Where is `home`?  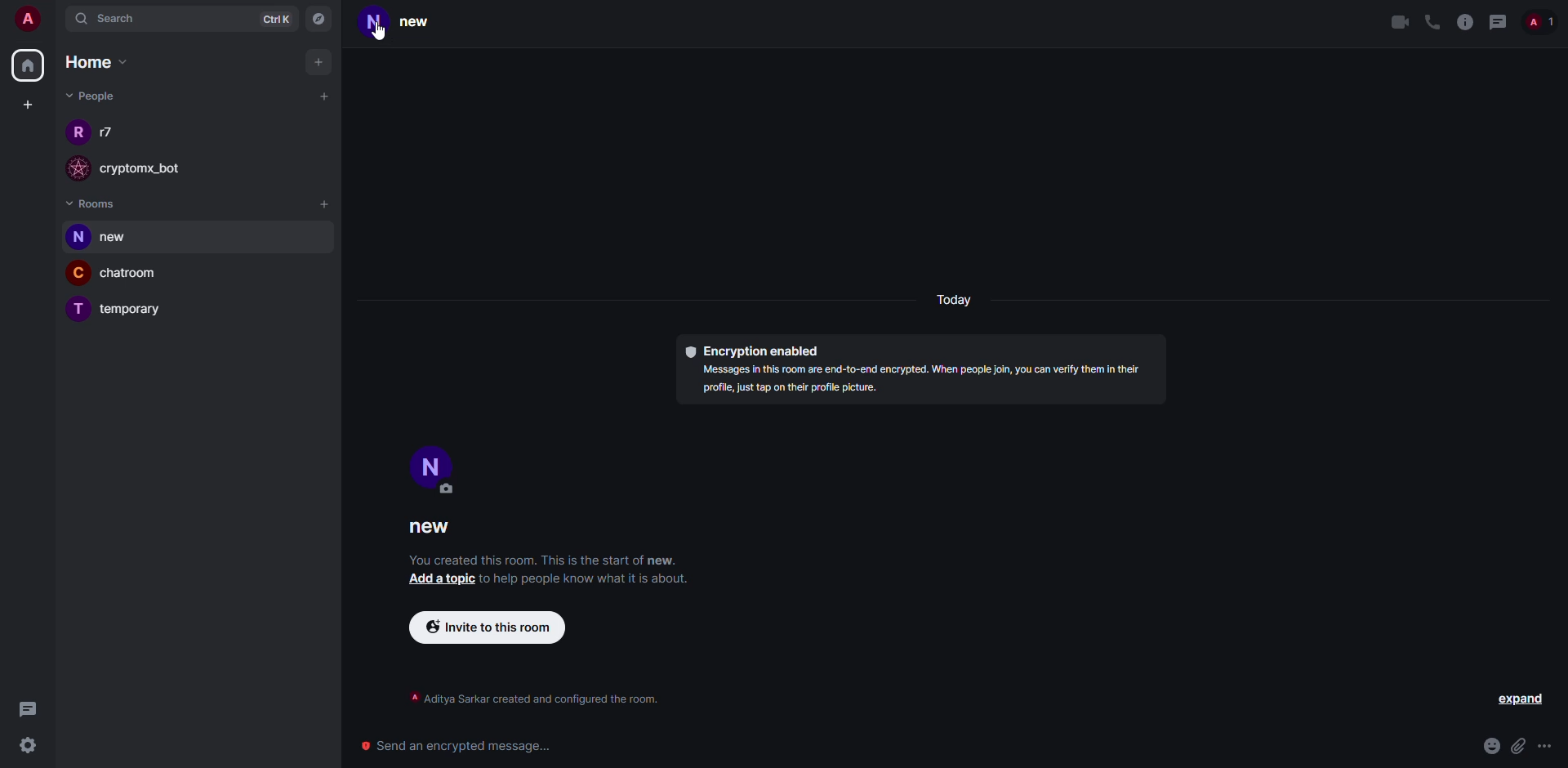 home is located at coordinates (31, 63).